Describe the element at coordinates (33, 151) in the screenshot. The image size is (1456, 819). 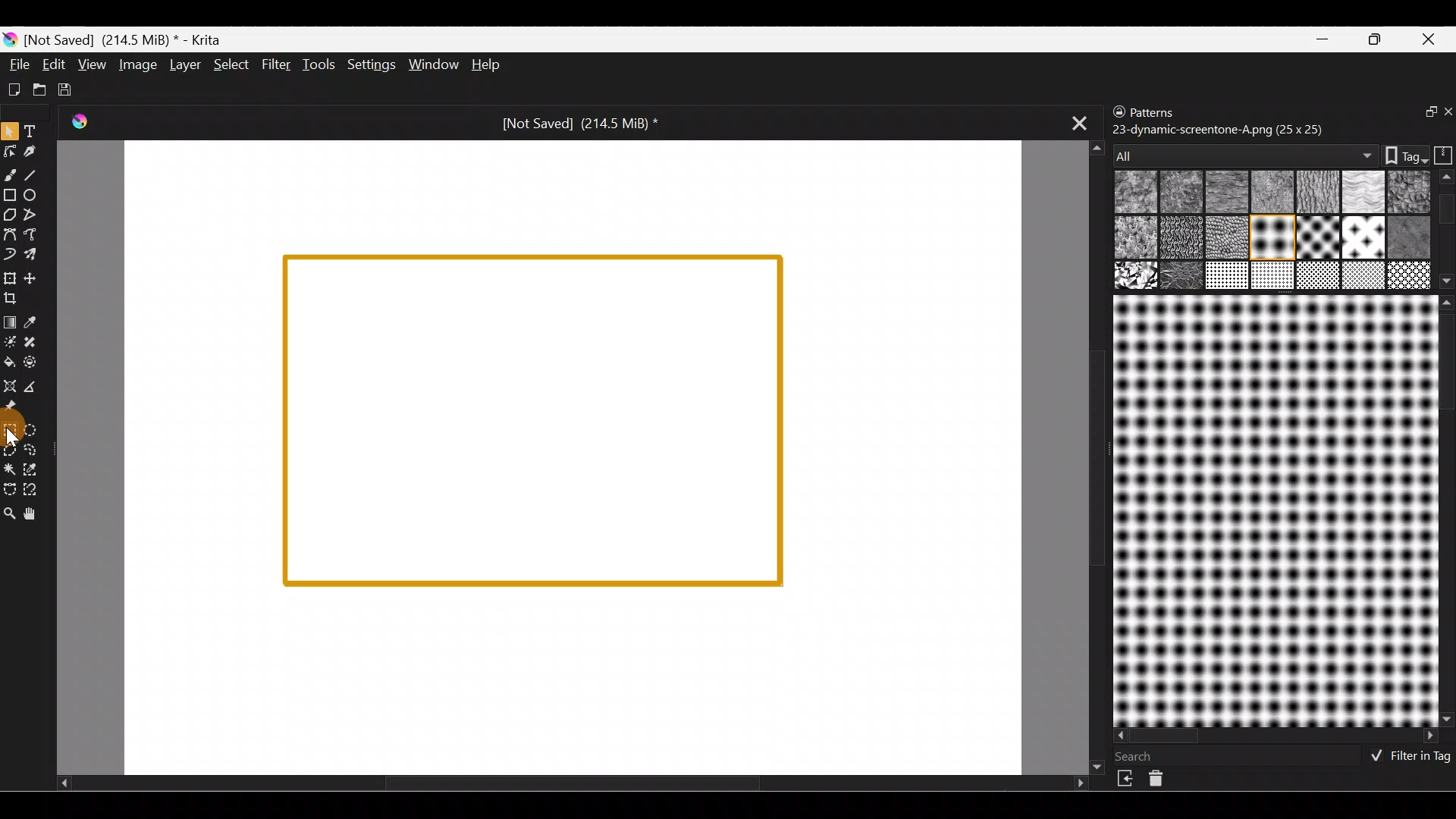
I see `Calligraphy` at that location.